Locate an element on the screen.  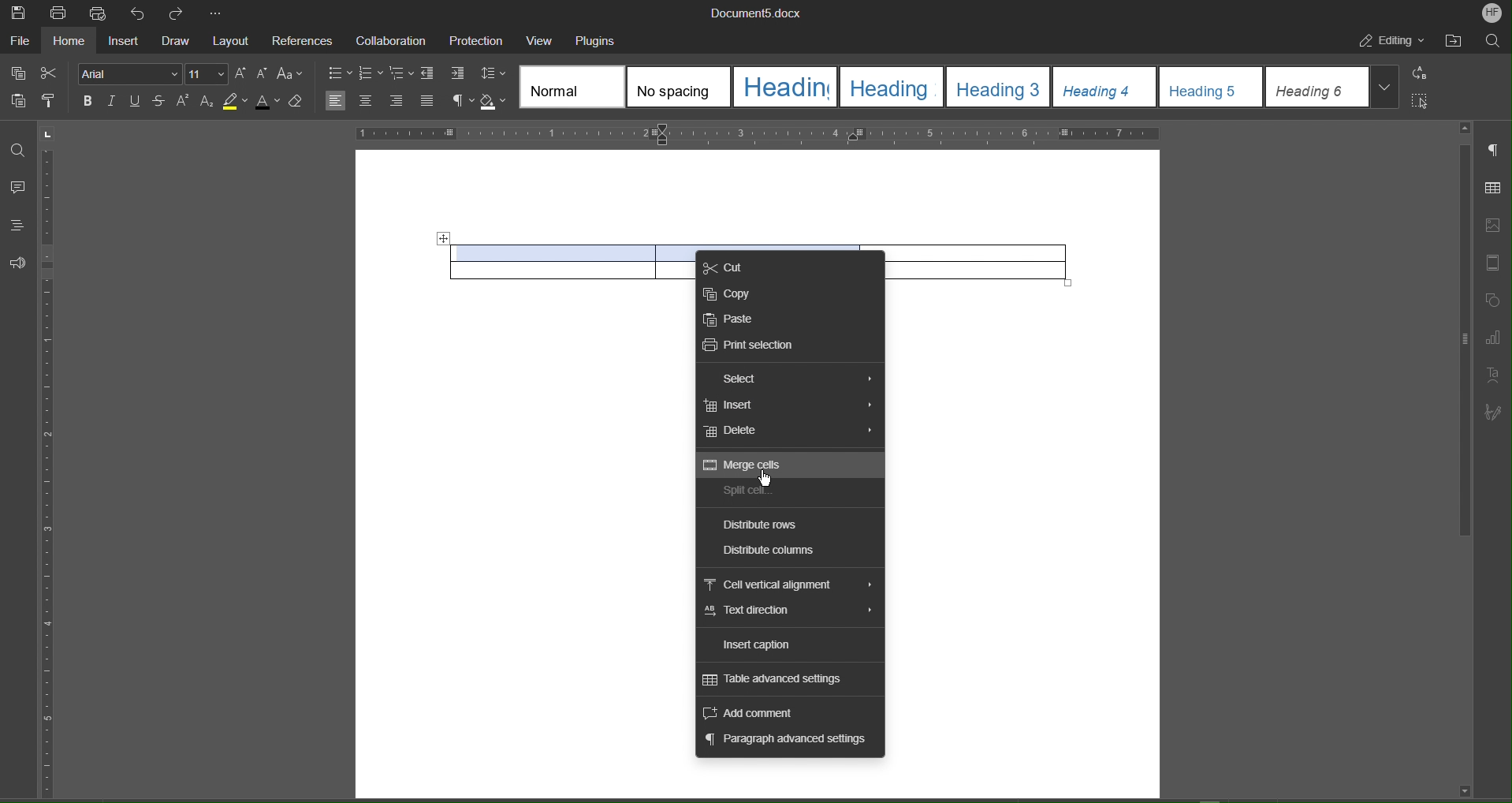
cursor is located at coordinates (765, 478).